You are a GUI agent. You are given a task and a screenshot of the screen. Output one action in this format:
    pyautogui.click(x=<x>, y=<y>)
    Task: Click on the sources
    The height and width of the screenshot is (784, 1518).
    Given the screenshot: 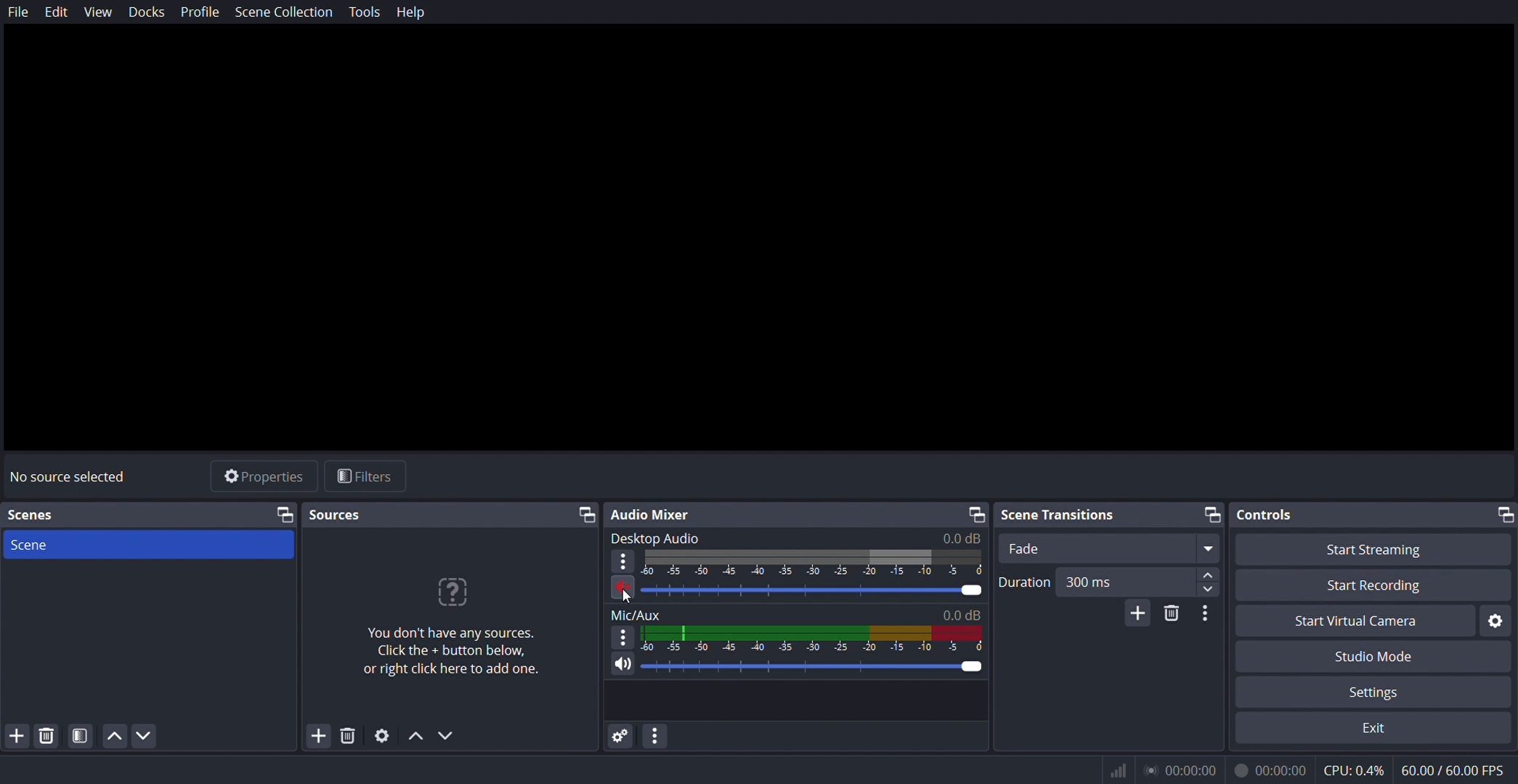 What is the action you would take?
    pyautogui.click(x=341, y=516)
    